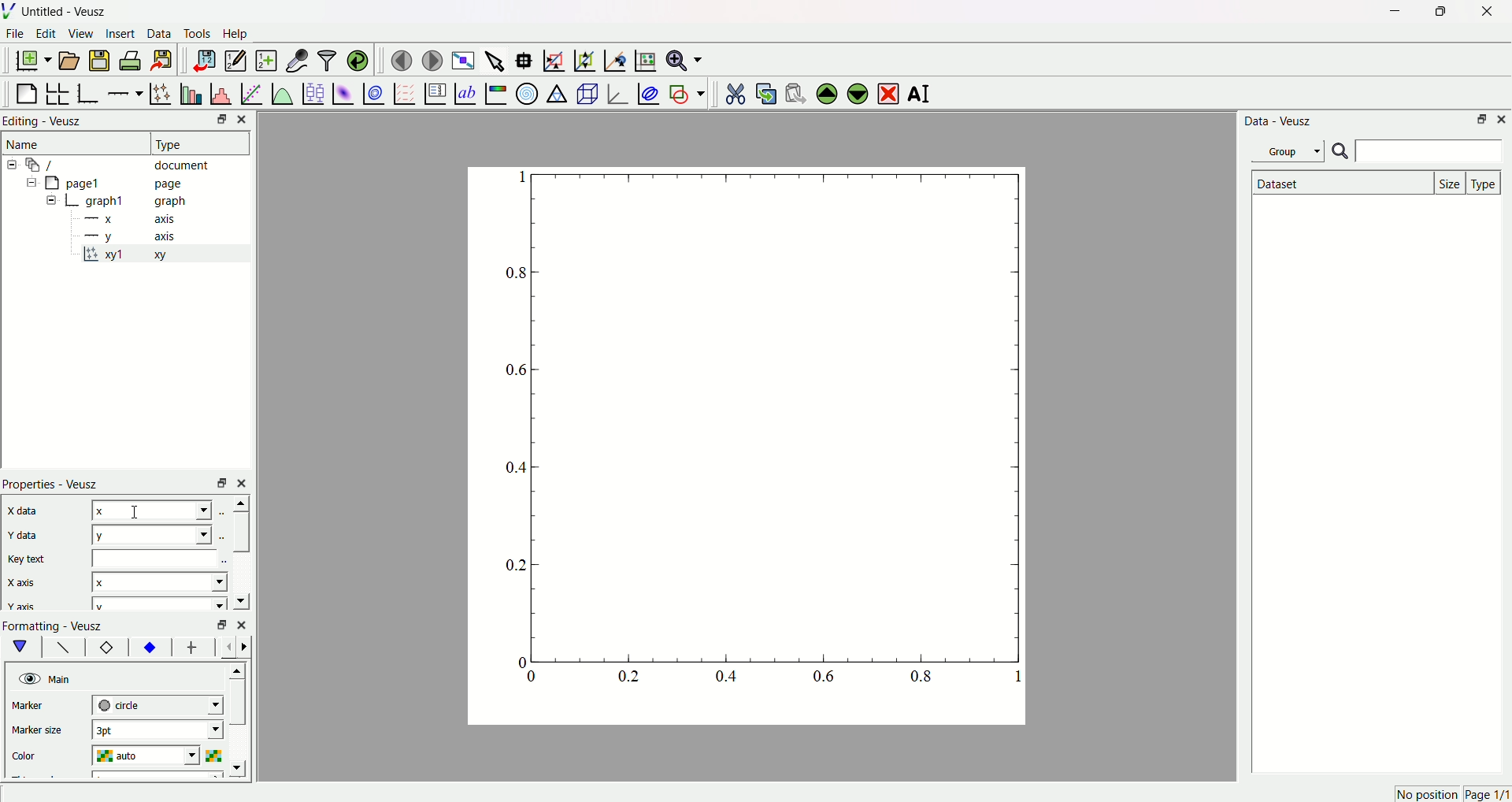 The height and width of the screenshot is (802, 1512). Describe the element at coordinates (921, 95) in the screenshot. I see `rename the widgets` at that location.